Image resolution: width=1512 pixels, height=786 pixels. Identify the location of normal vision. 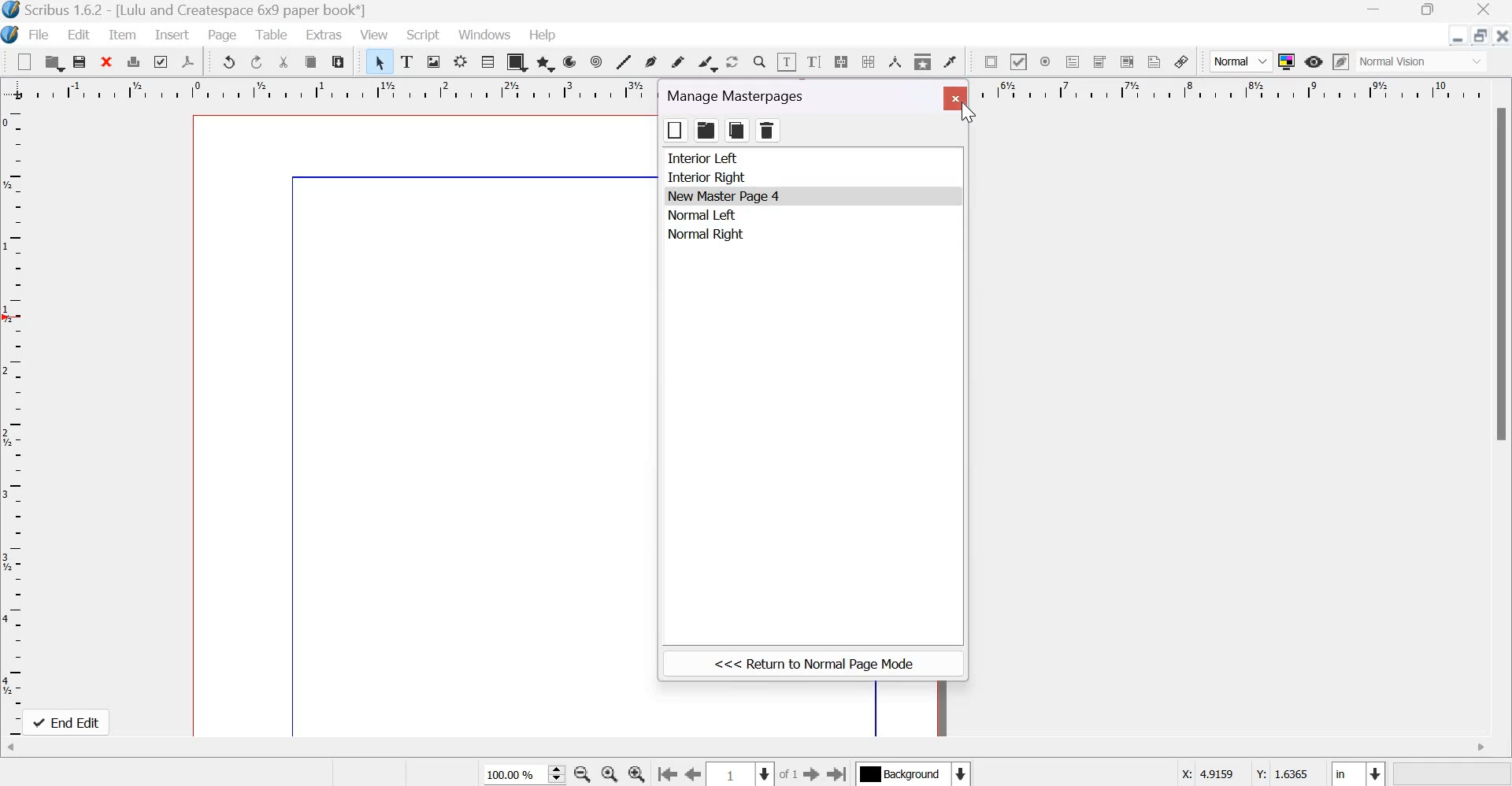
(1422, 61).